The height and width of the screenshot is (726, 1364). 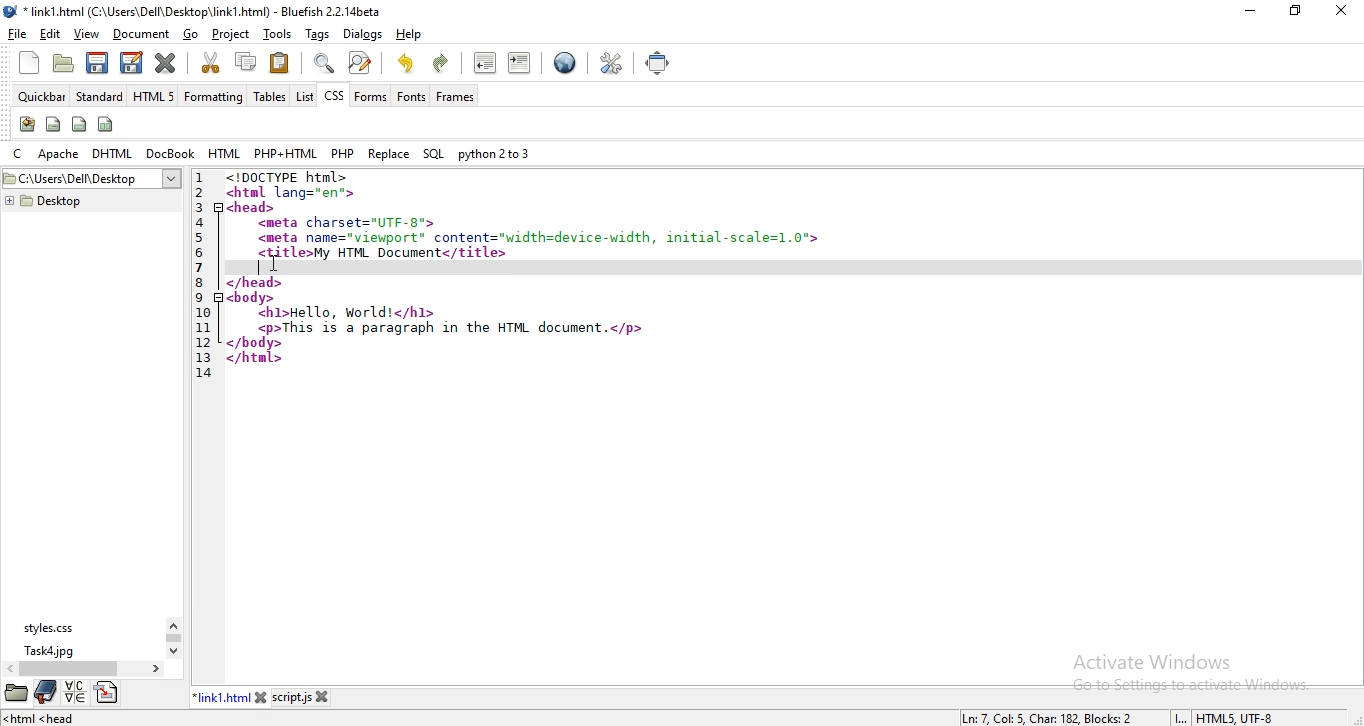 What do you see at coordinates (389, 153) in the screenshot?
I see `replace` at bounding box center [389, 153].